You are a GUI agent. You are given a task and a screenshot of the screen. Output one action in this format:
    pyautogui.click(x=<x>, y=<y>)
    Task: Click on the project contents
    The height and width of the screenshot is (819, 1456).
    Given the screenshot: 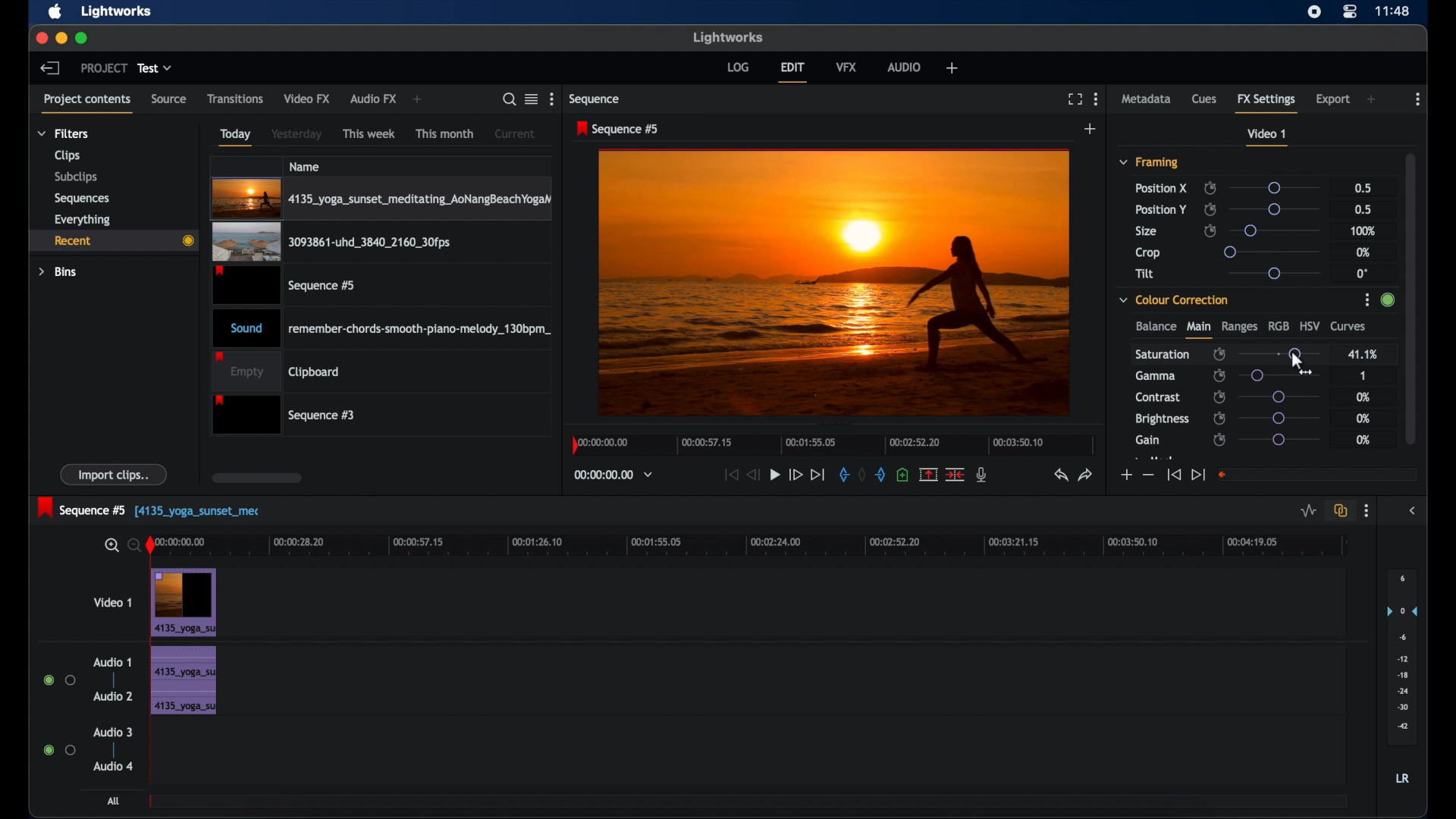 What is the action you would take?
    pyautogui.click(x=89, y=102)
    